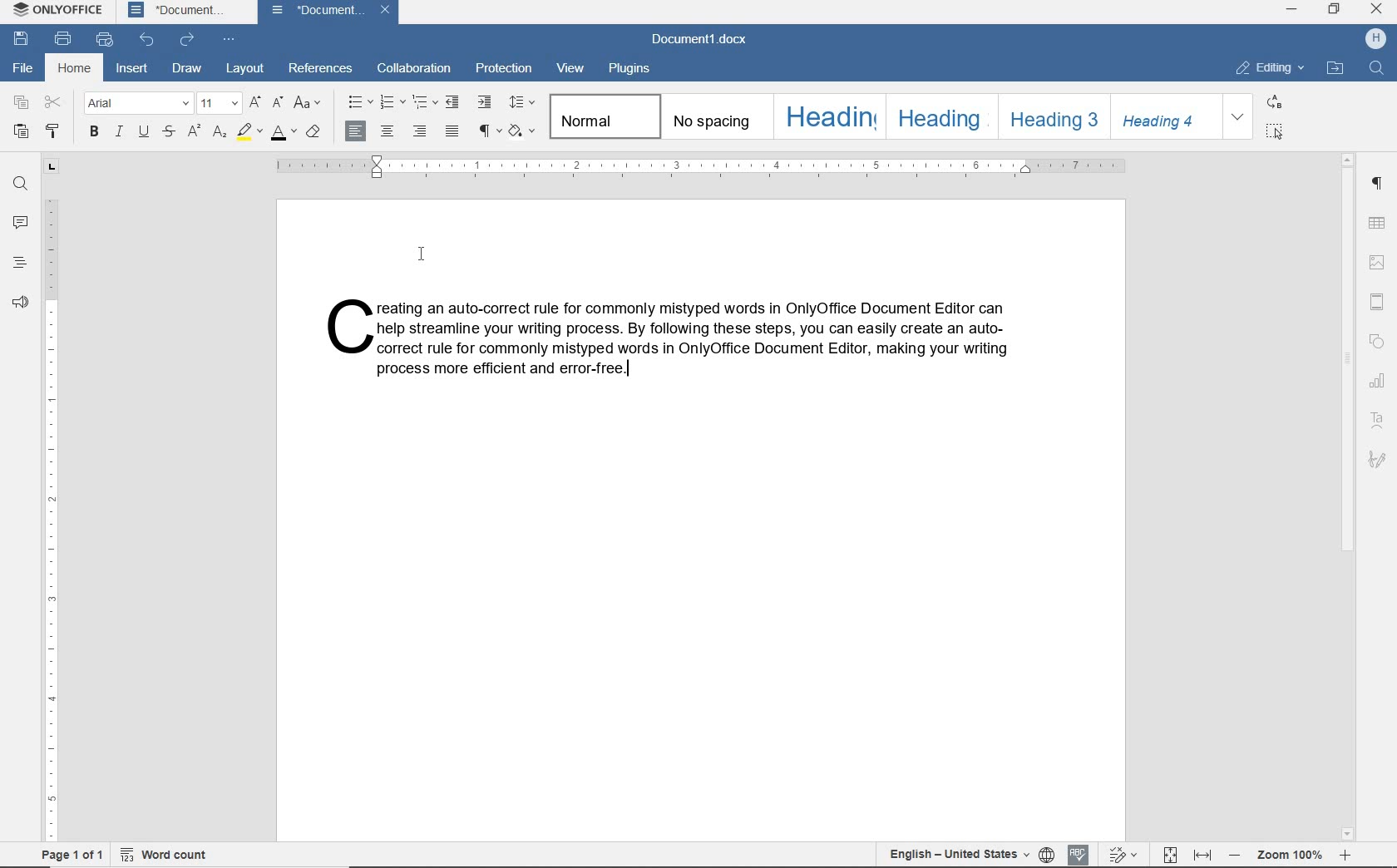  I want to click on Profile, so click(1375, 39).